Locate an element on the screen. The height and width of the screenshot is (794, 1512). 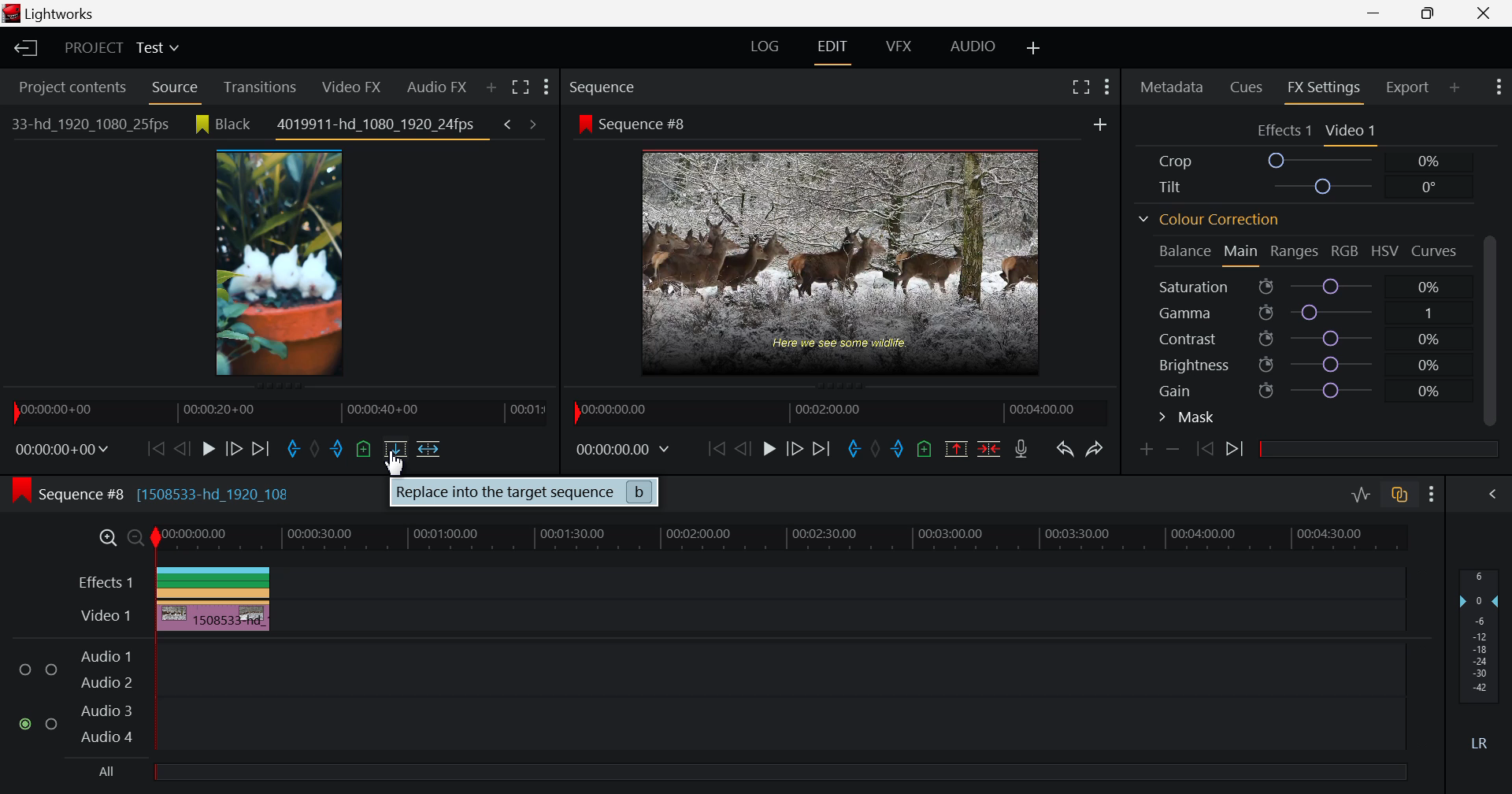
Remove all marks is located at coordinates (875, 451).